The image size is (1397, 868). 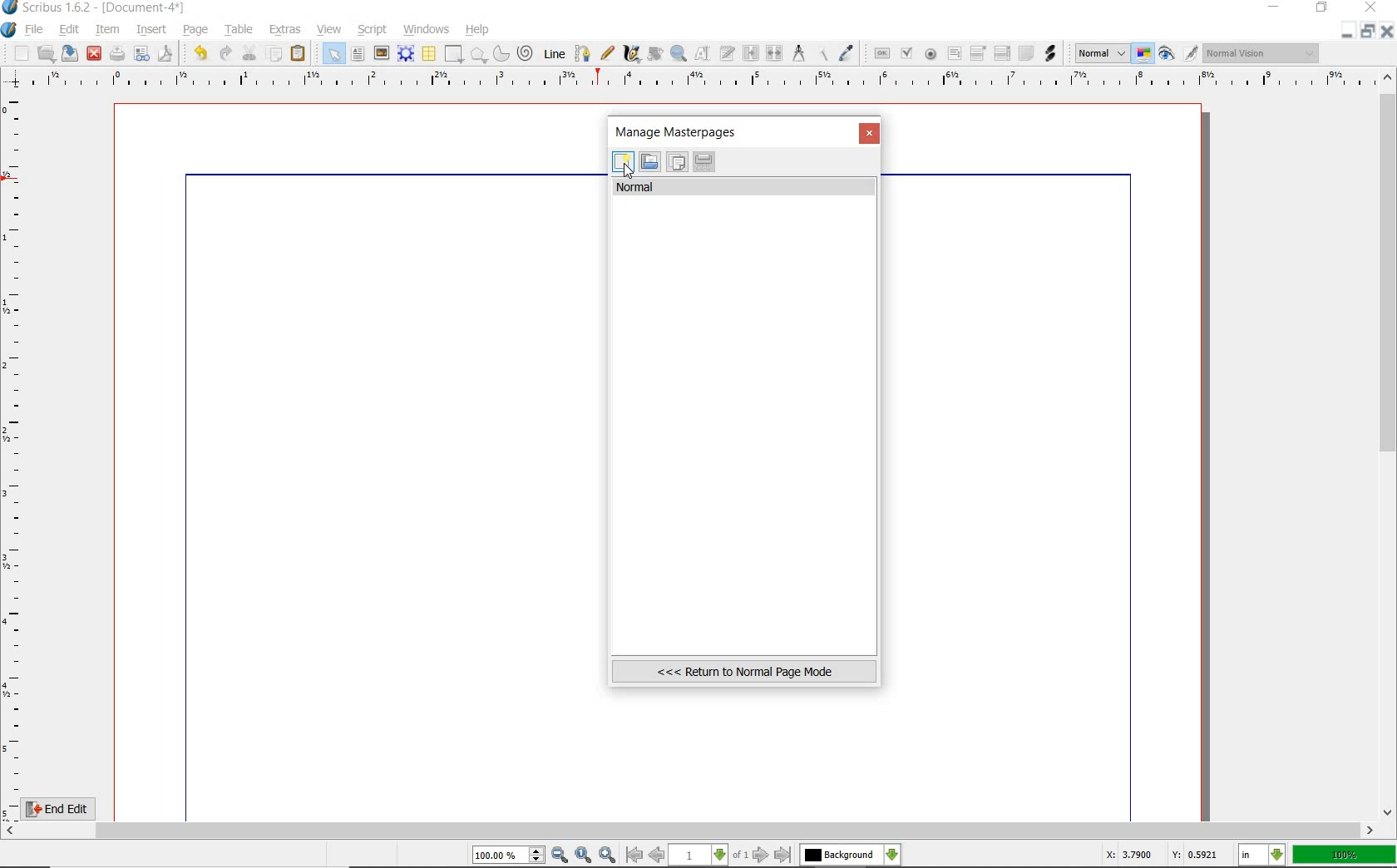 I want to click on pdf check box, so click(x=906, y=53).